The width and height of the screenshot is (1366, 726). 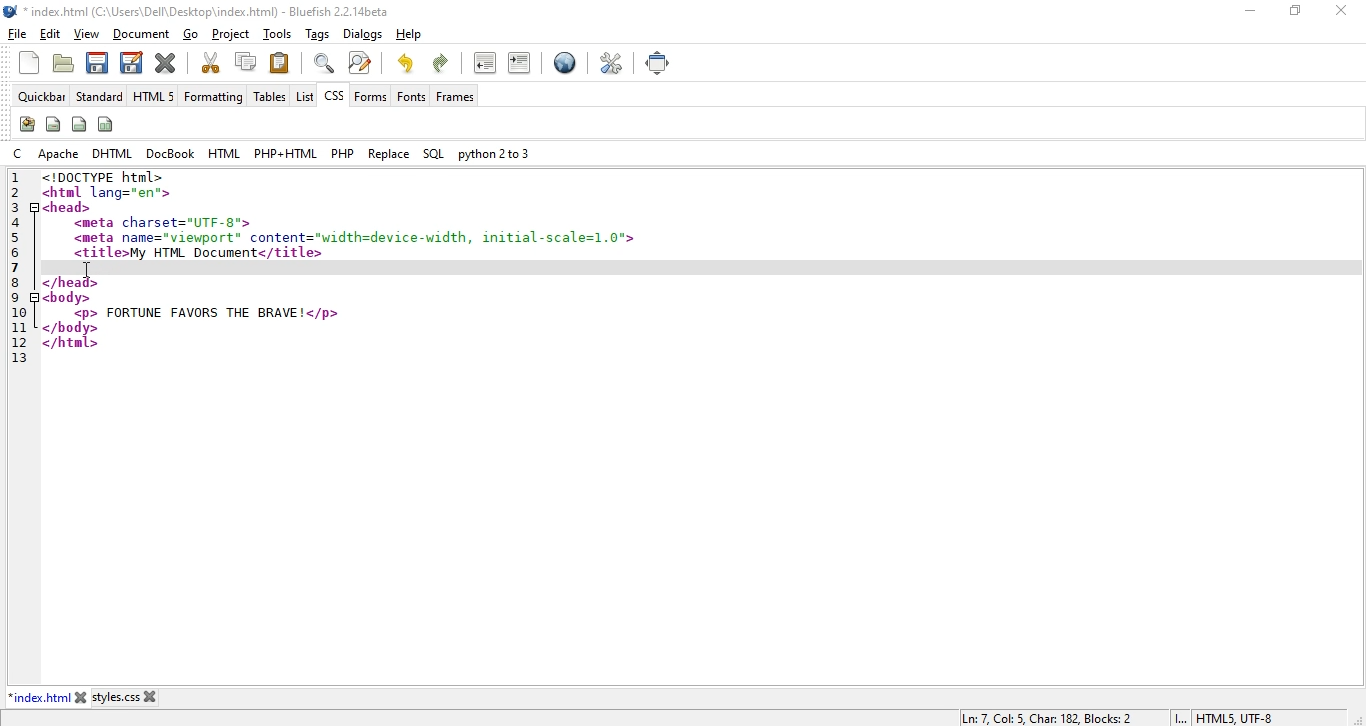 I want to click on file, so click(x=18, y=34).